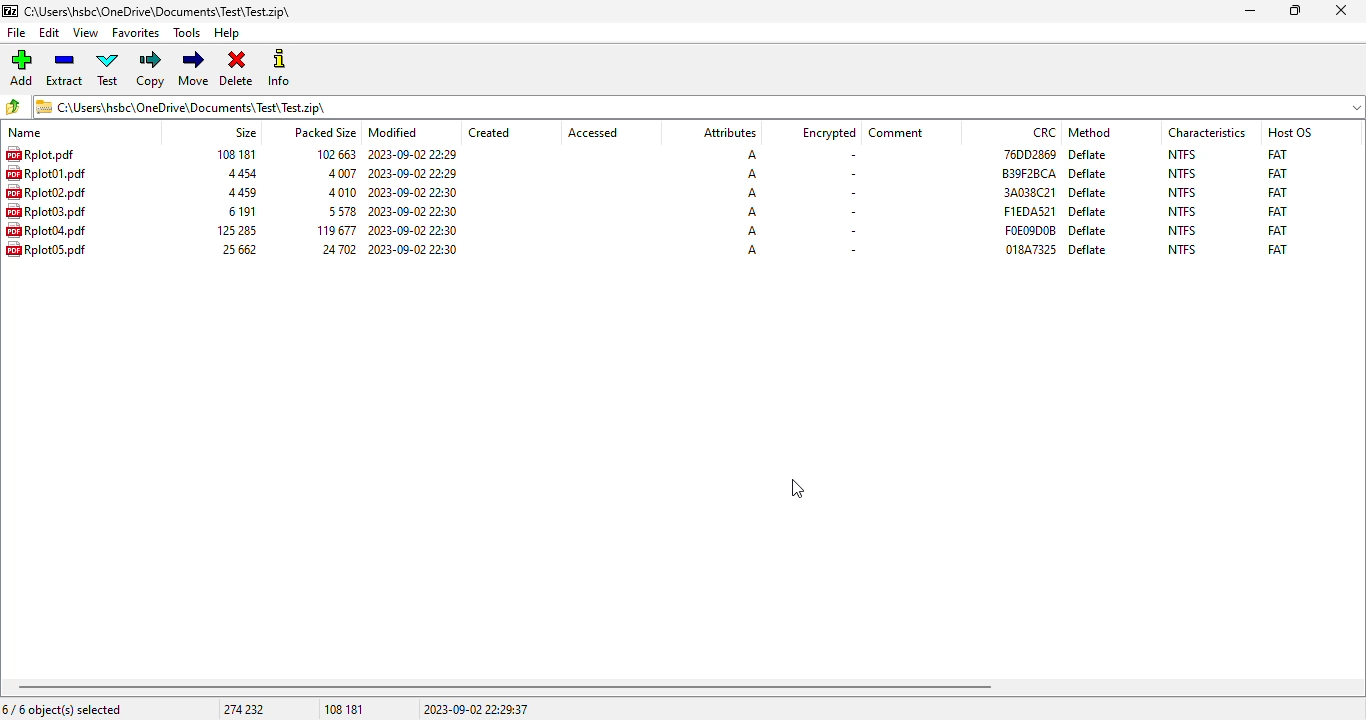 Image resolution: width=1366 pixels, height=720 pixels. Describe the element at coordinates (1088, 174) in the screenshot. I see `deflate` at that location.